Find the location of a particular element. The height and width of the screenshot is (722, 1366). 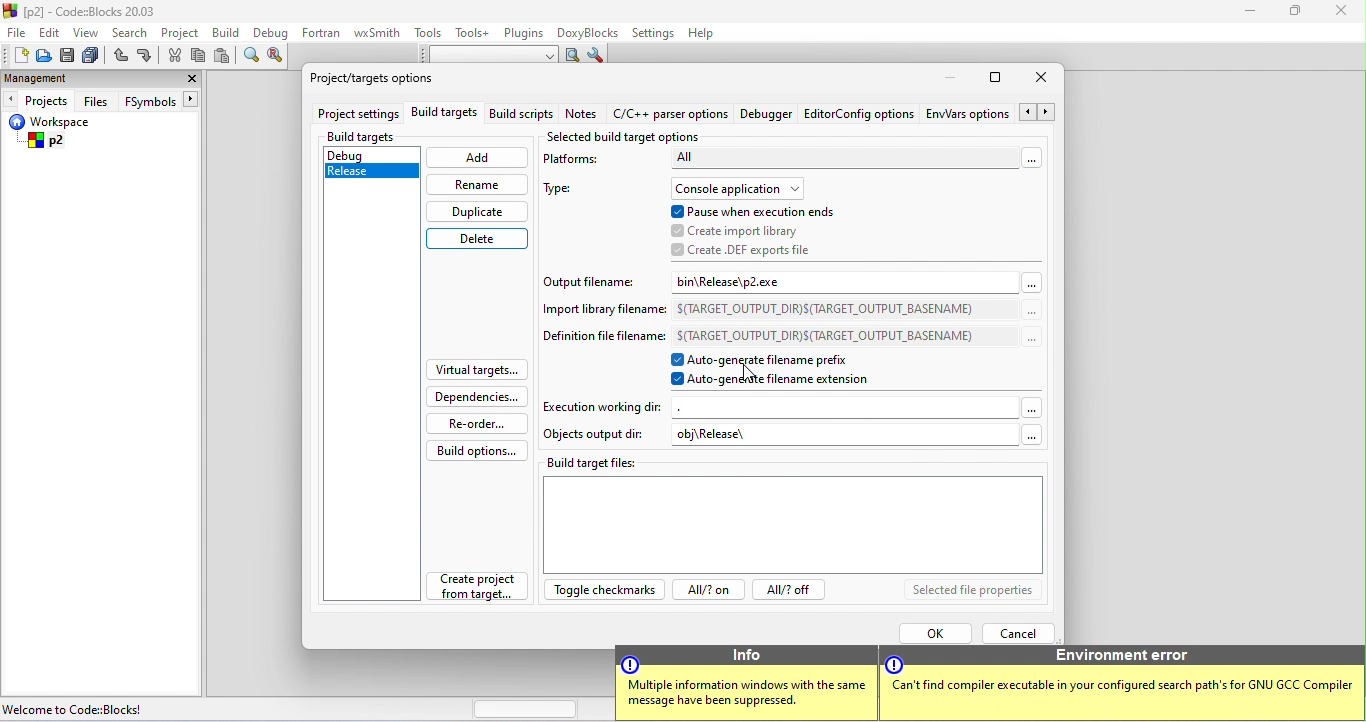

create import library is located at coordinates (738, 229).